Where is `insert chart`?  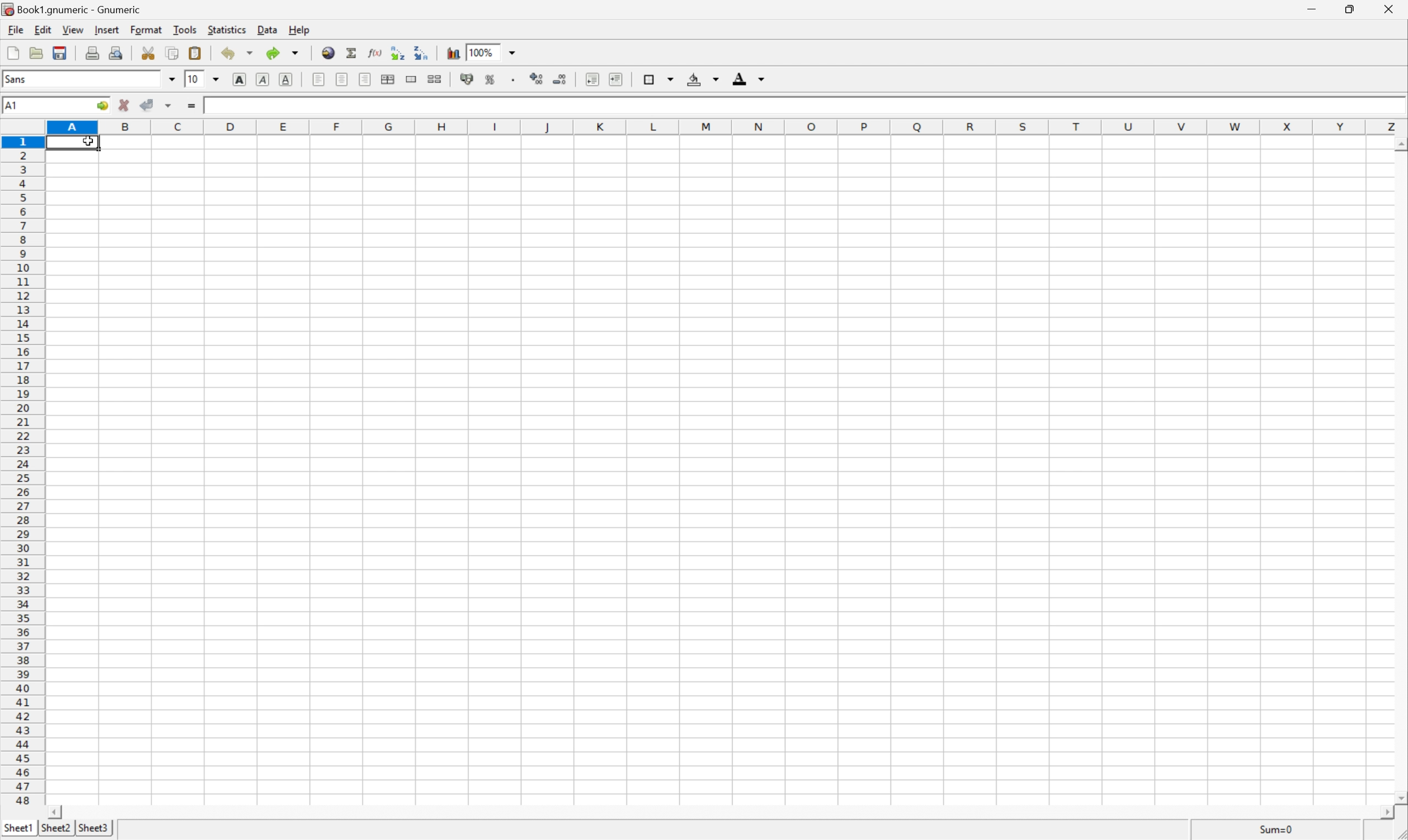 insert chart is located at coordinates (452, 52).